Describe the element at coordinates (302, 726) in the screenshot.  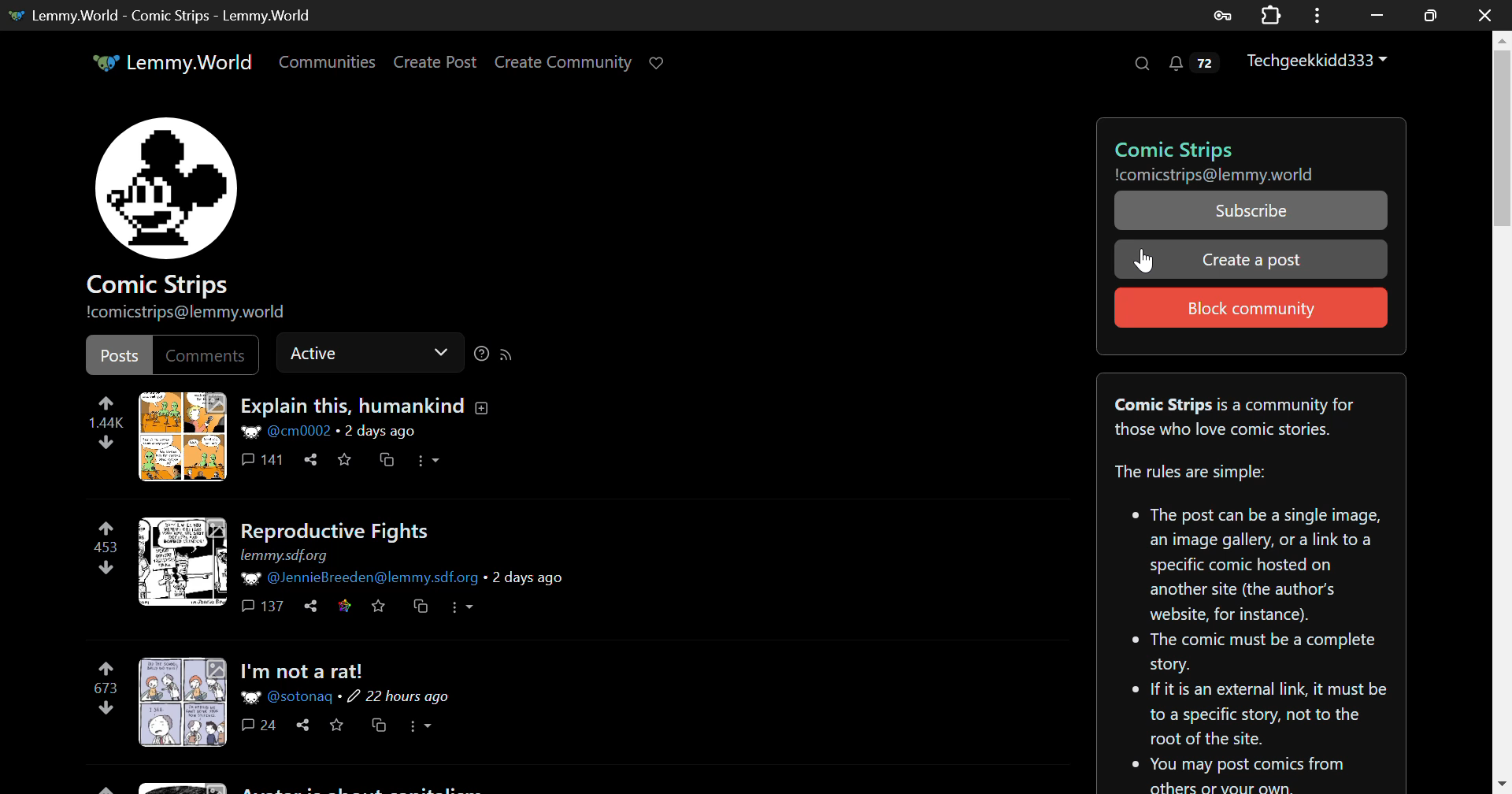
I see `Share` at that location.